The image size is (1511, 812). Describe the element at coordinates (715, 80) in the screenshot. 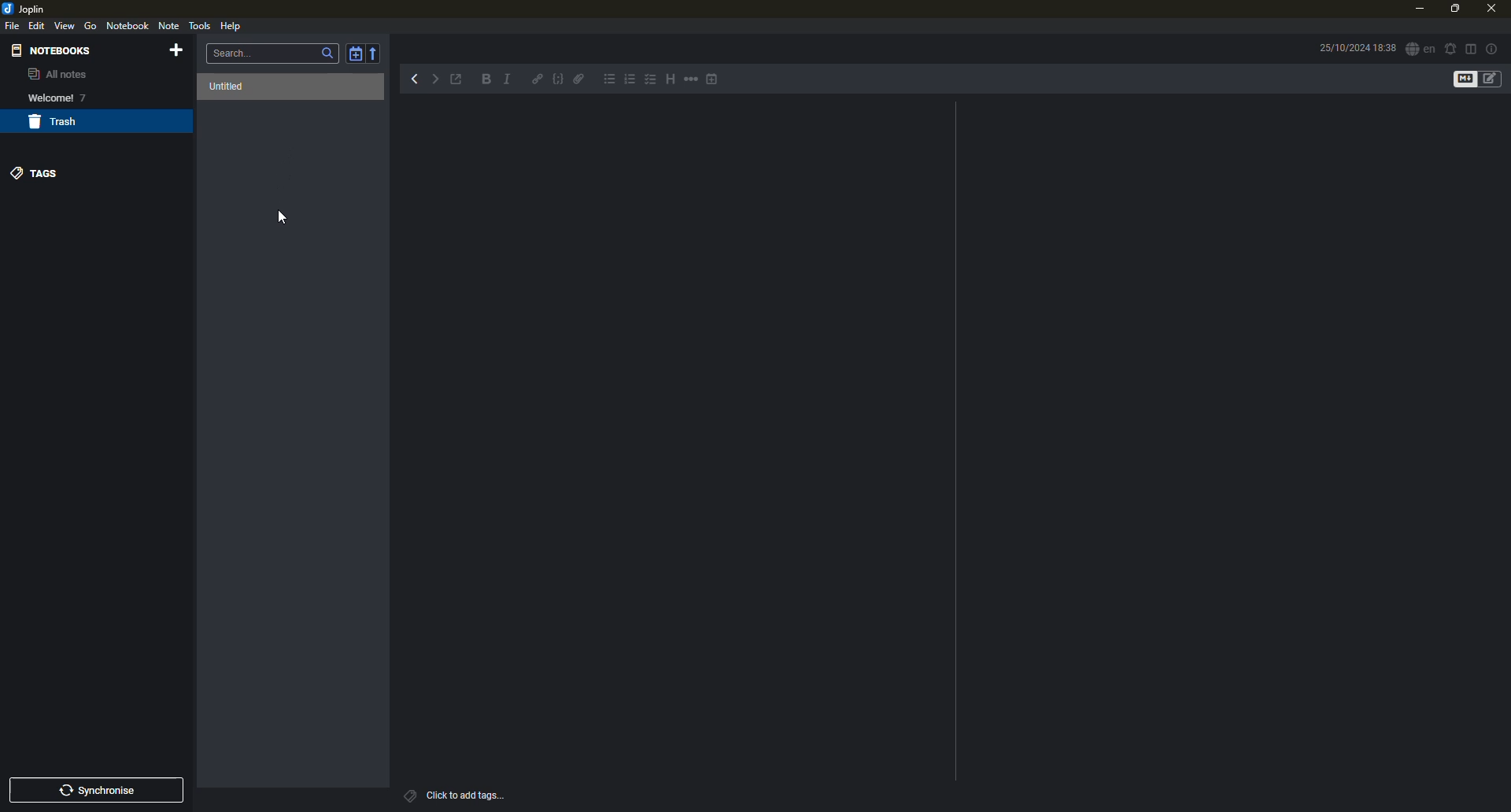

I see `insert time` at that location.